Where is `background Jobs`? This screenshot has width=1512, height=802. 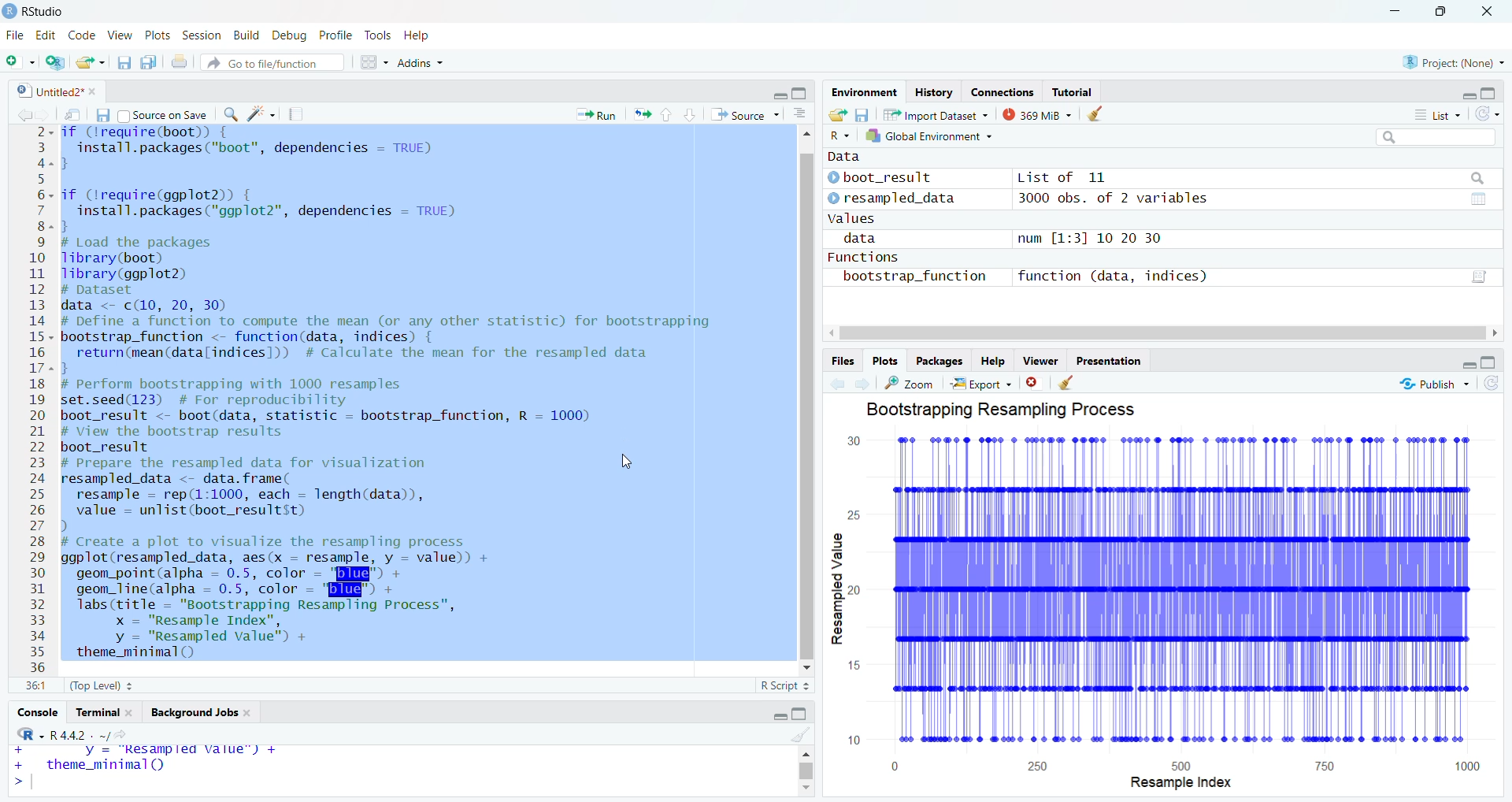
background Jobs is located at coordinates (200, 715).